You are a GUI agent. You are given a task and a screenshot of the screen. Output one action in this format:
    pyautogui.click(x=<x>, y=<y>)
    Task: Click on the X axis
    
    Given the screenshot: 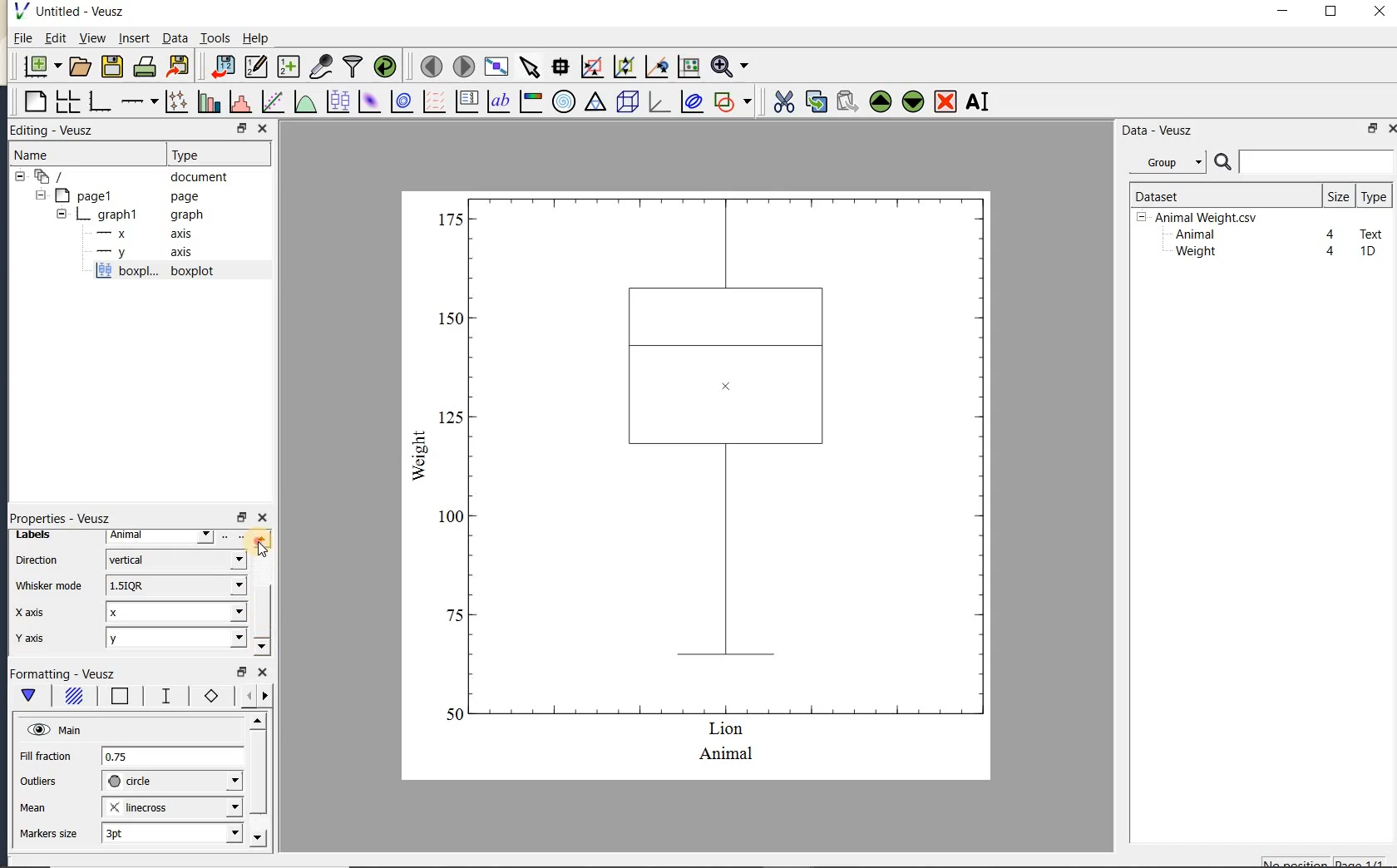 What is the action you would take?
    pyautogui.click(x=32, y=614)
    